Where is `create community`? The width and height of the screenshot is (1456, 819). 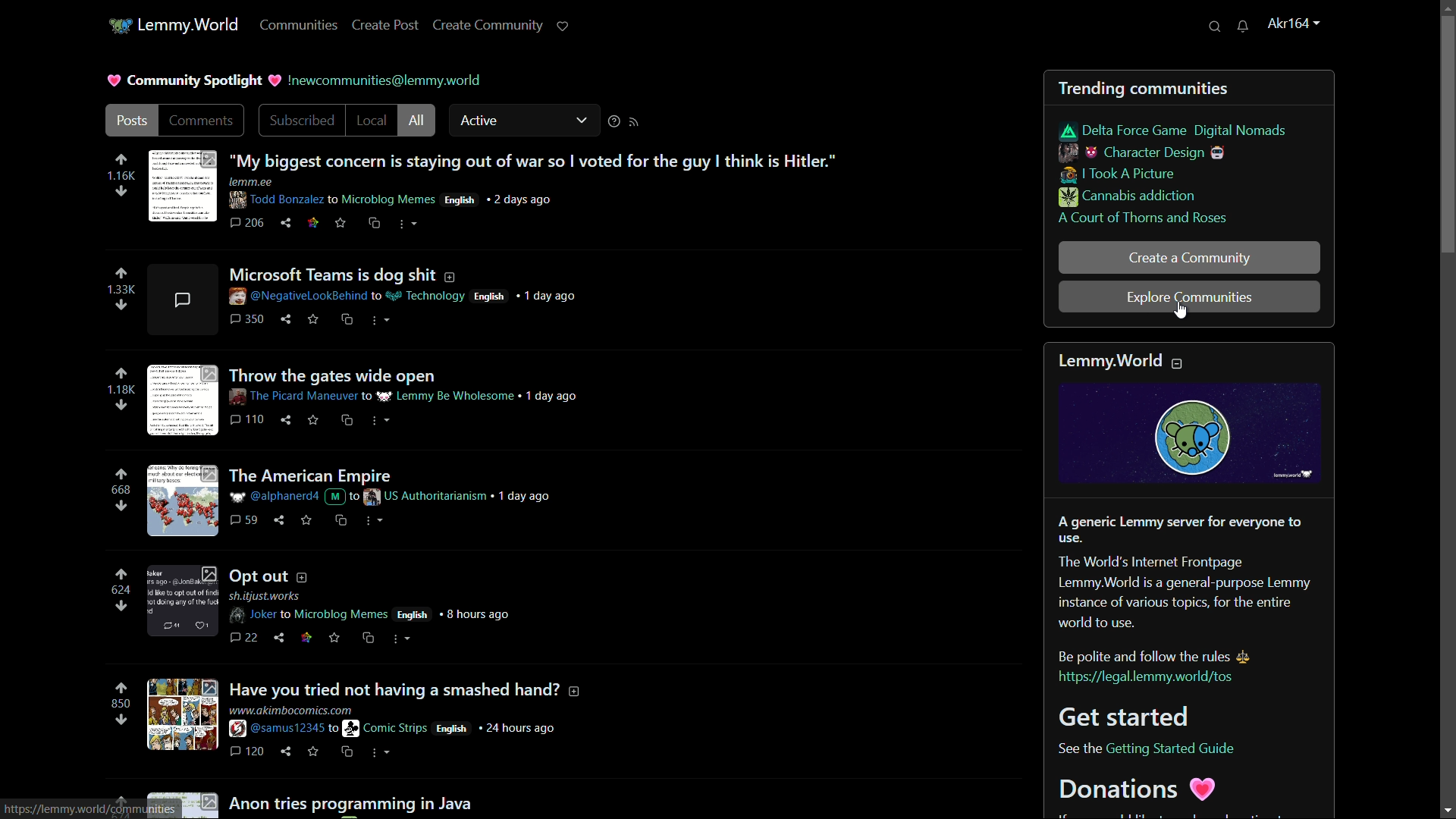
create community is located at coordinates (485, 24).